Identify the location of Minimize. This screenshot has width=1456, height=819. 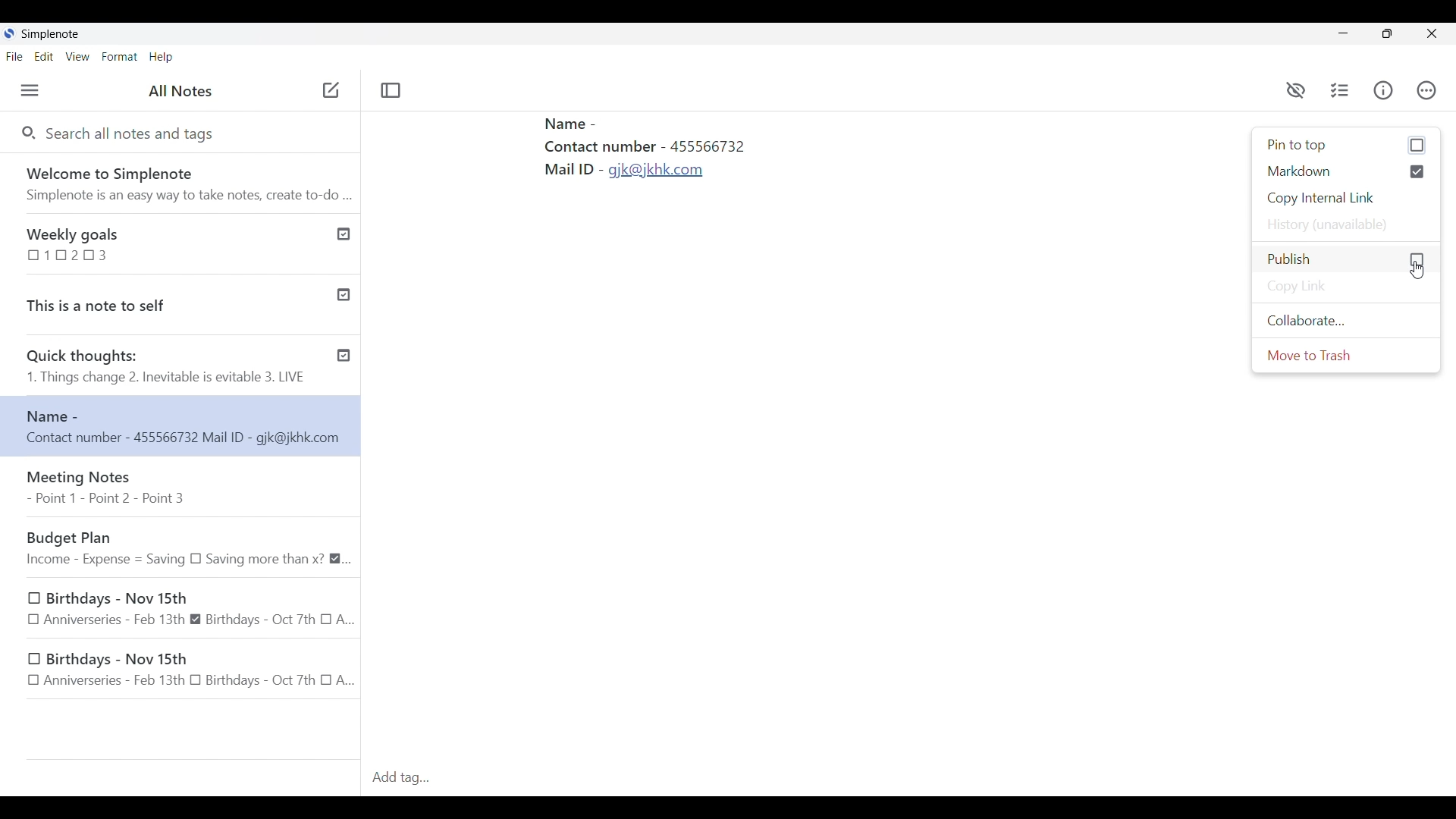
(1343, 33).